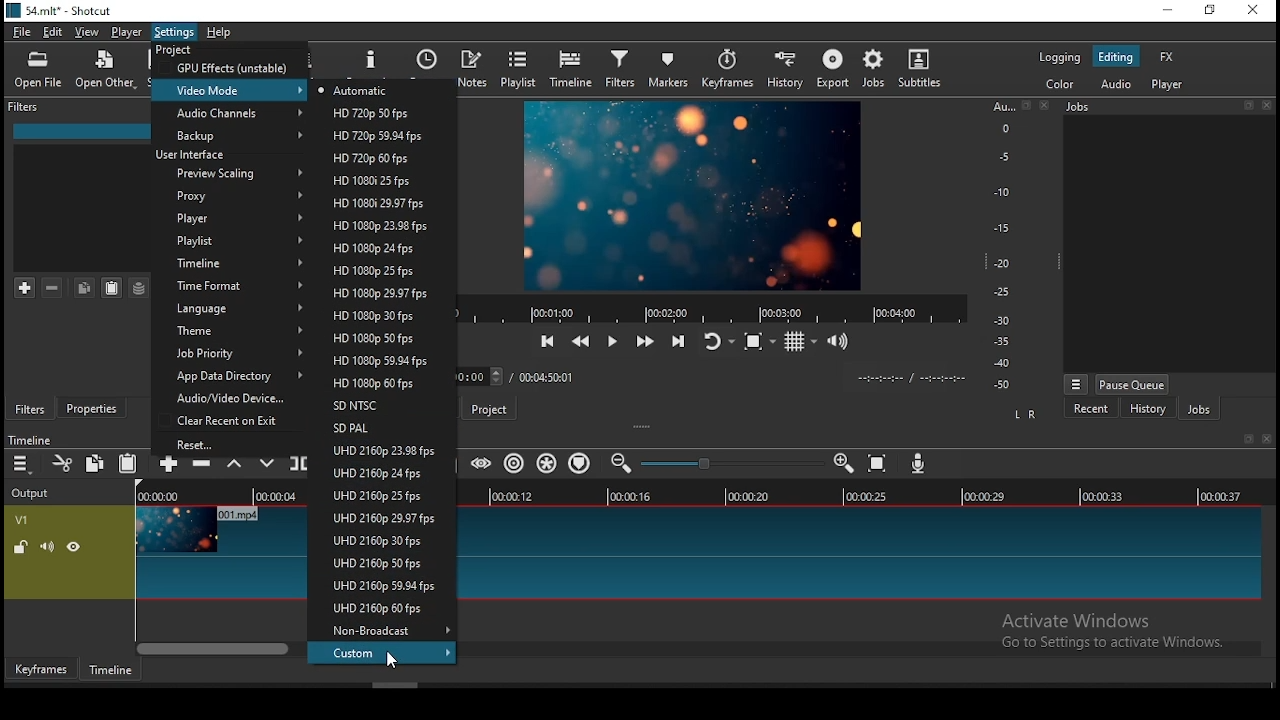 The width and height of the screenshot is (1280, 720). Describe the element at coordinates (175, 530) in the screenshot. I see `image` at that location.